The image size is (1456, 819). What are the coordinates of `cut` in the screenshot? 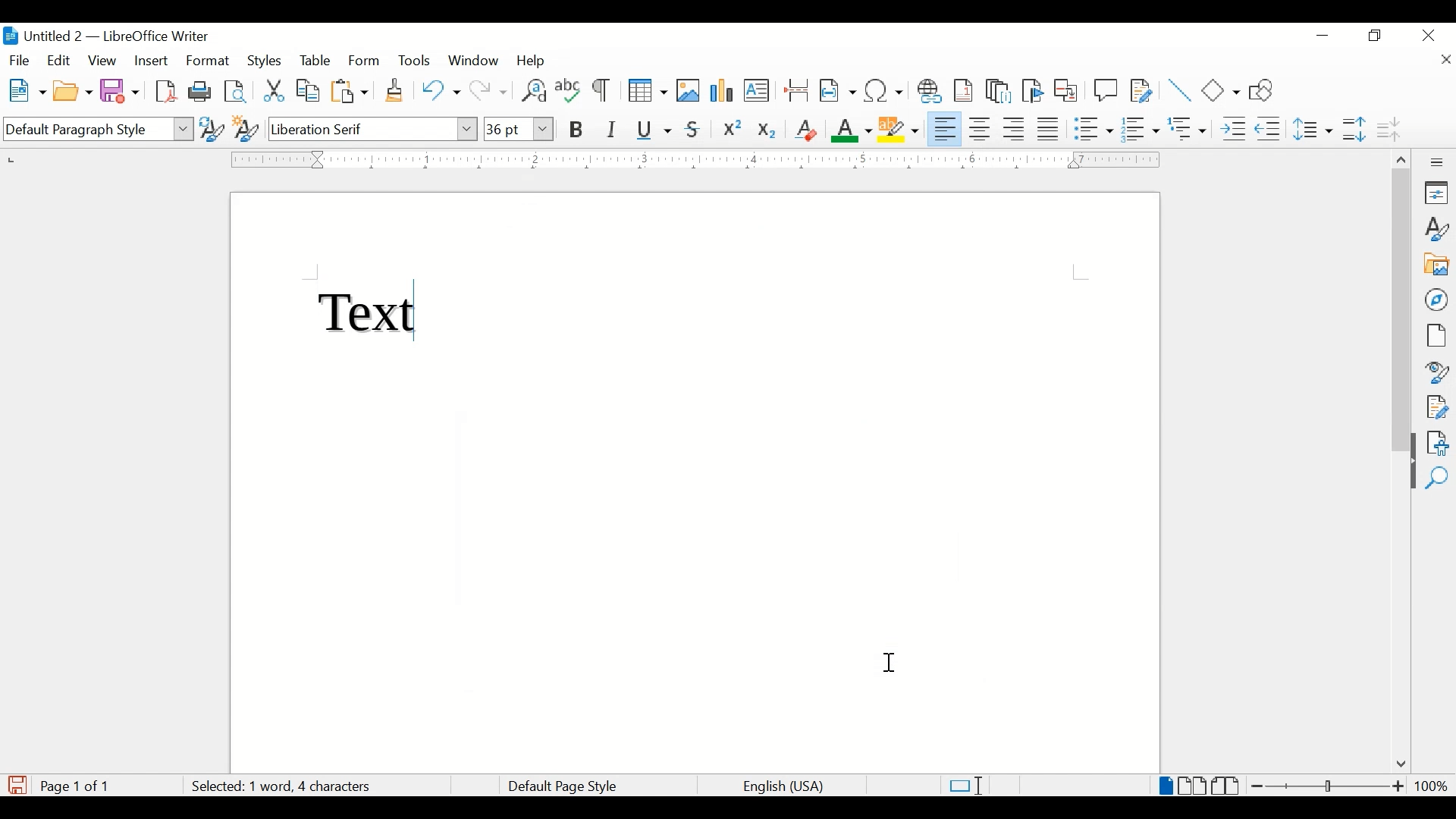 It's located at (275, 90).